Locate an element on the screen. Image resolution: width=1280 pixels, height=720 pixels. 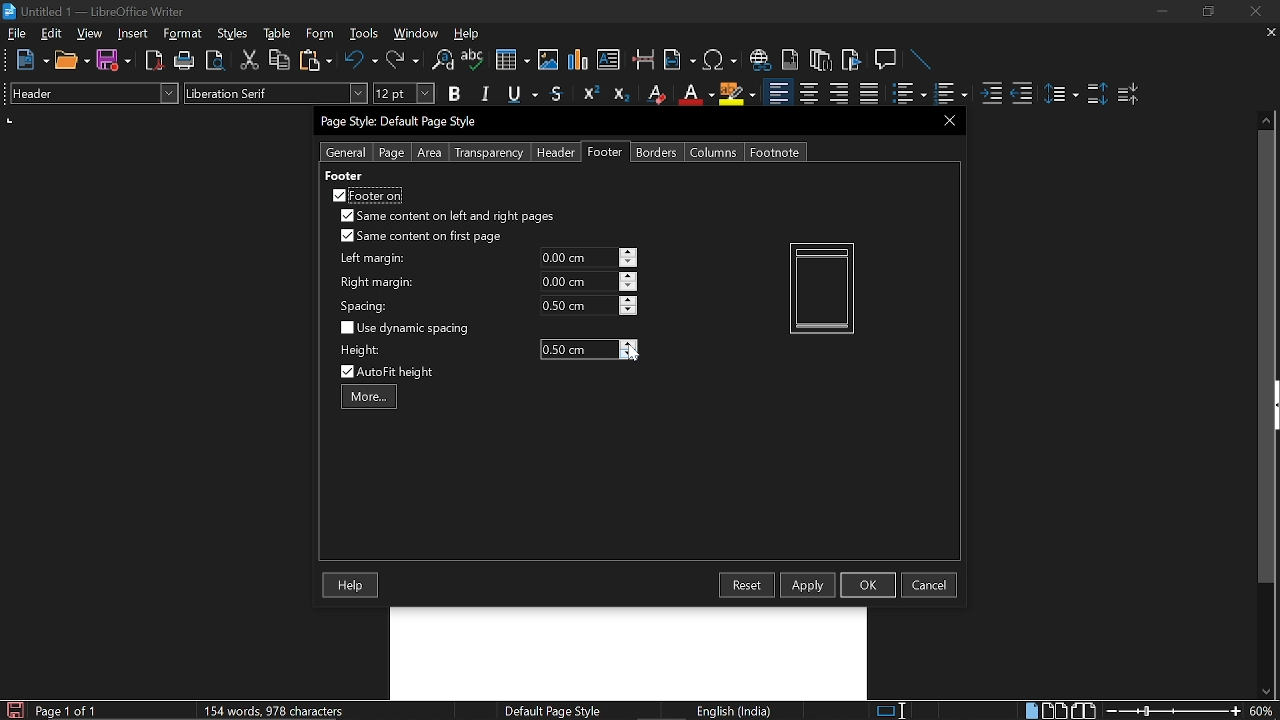
cancel is located at coordinates (929, 585).